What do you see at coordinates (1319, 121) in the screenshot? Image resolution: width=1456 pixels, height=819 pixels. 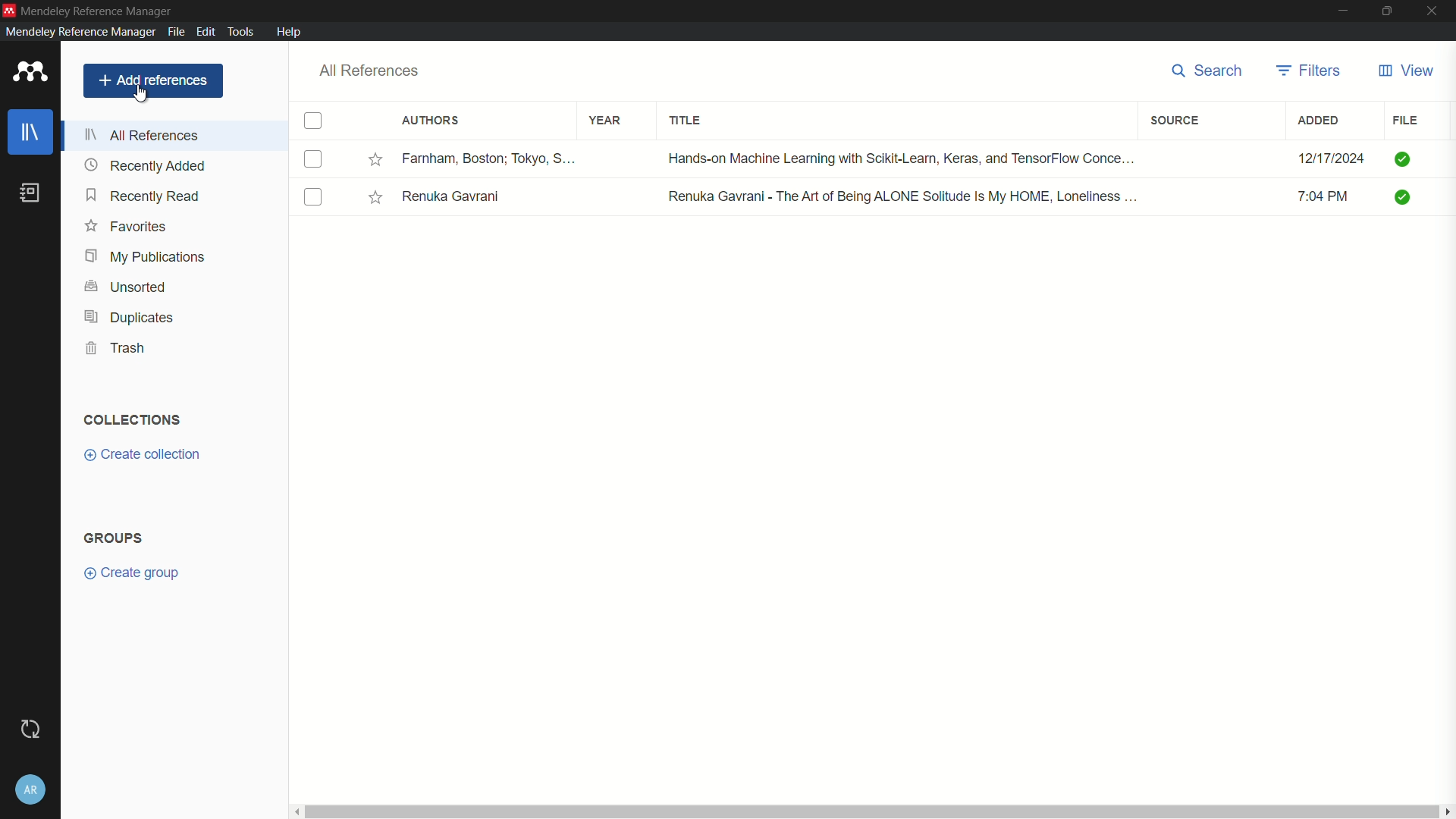 I see `added` at bounding box center [1319, 121].